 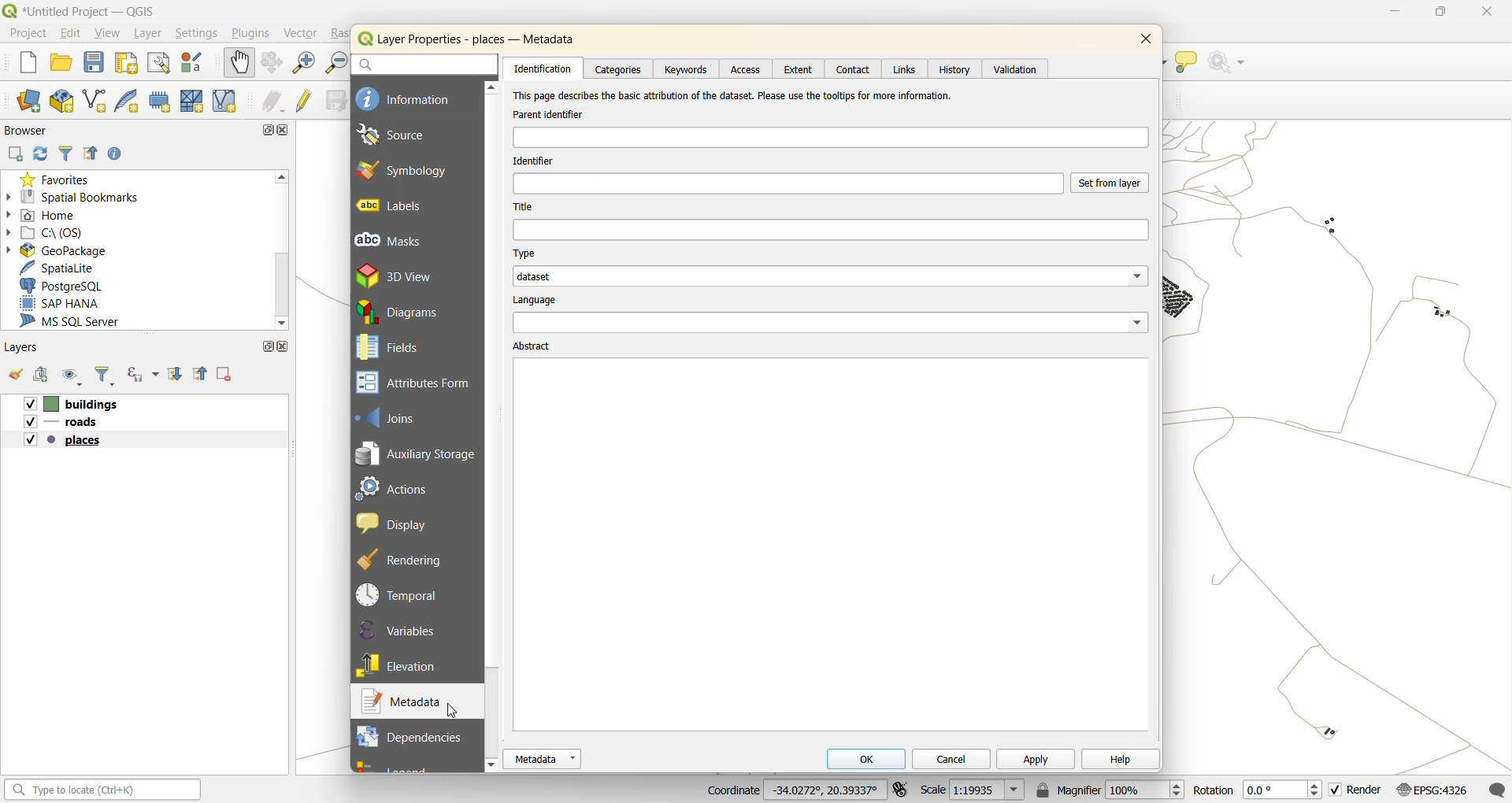 What do you see at coordinates (64, 65) in the screenshot?
I see `open` at bounding box center [64, 65].